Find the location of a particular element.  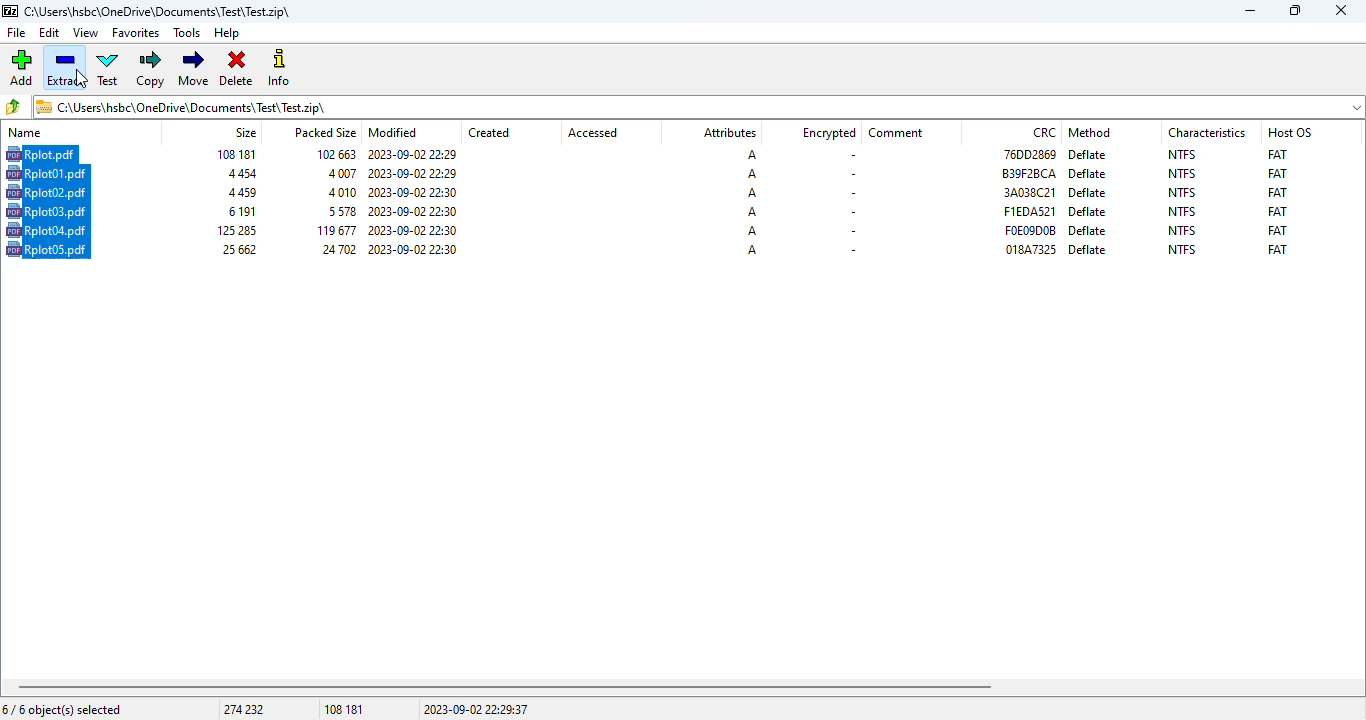

add is located at coordinates (21, 68).